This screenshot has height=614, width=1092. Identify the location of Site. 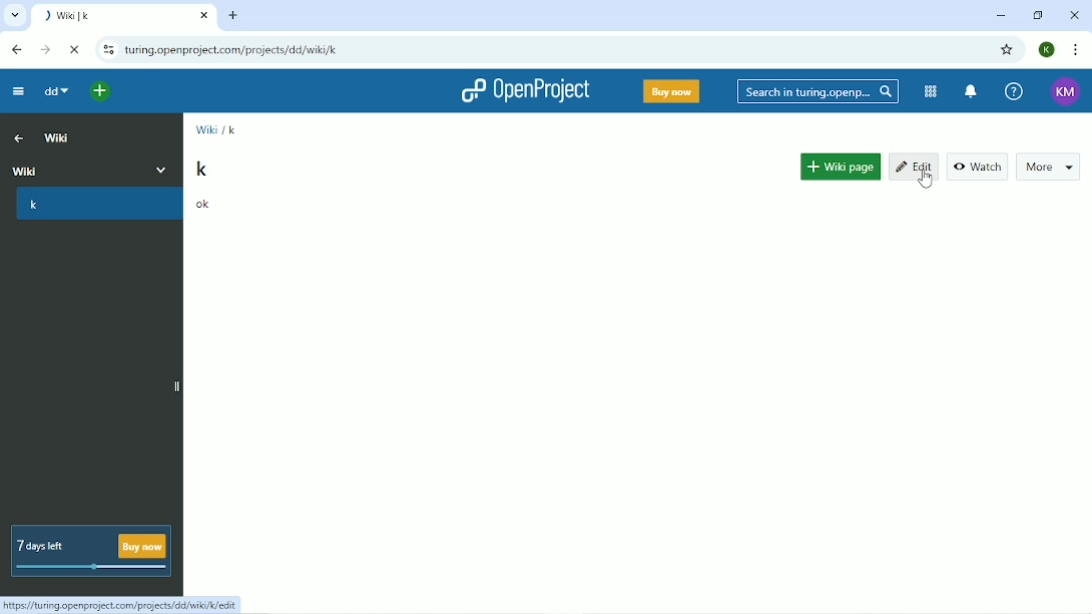
(233, 51).